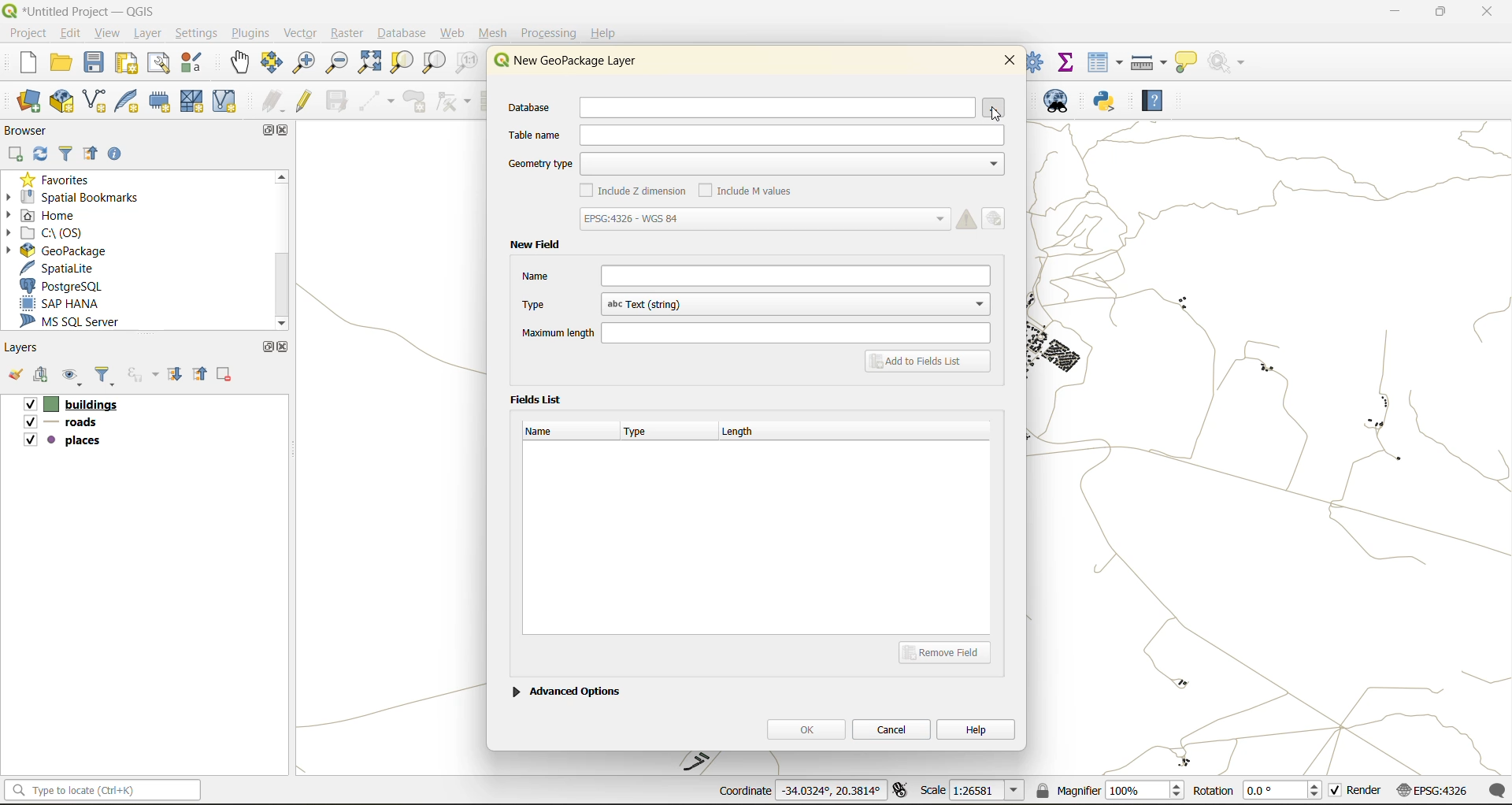 The height and width of the screenshot is (805, 1512). I want to click on vector, so click(300, 33).